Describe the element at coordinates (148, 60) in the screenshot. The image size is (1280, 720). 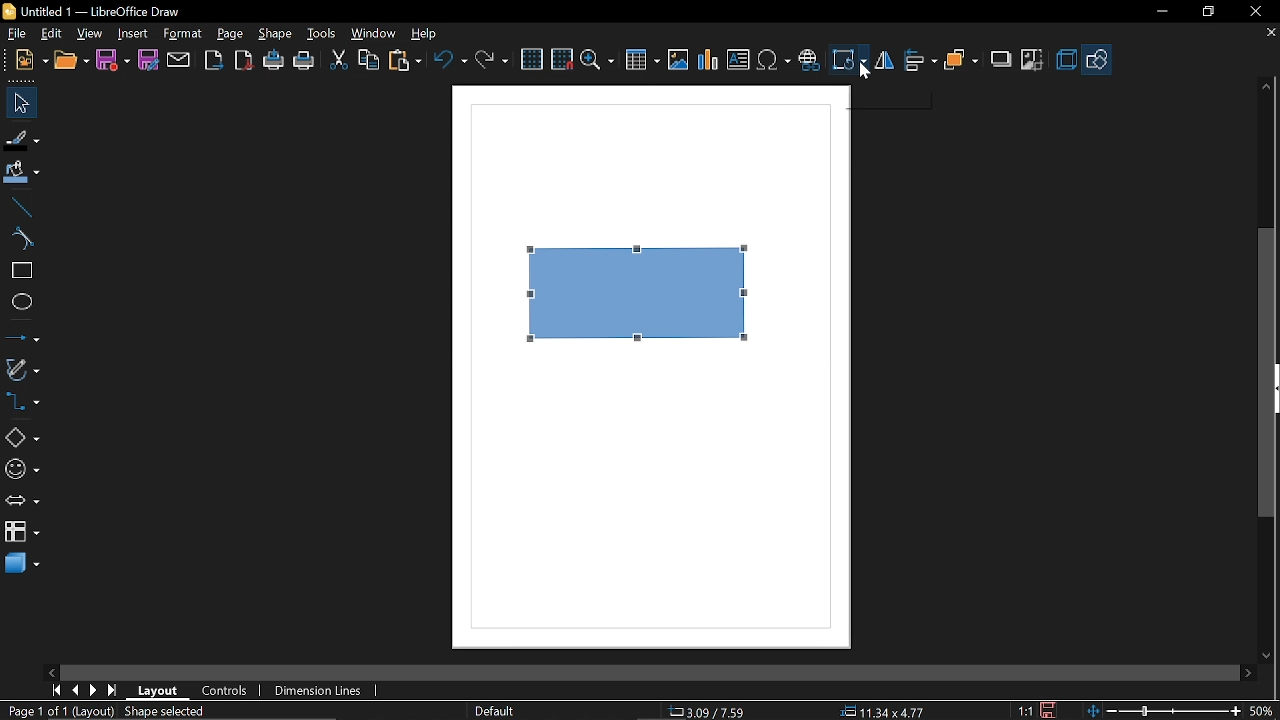
I see `save as` at that location.